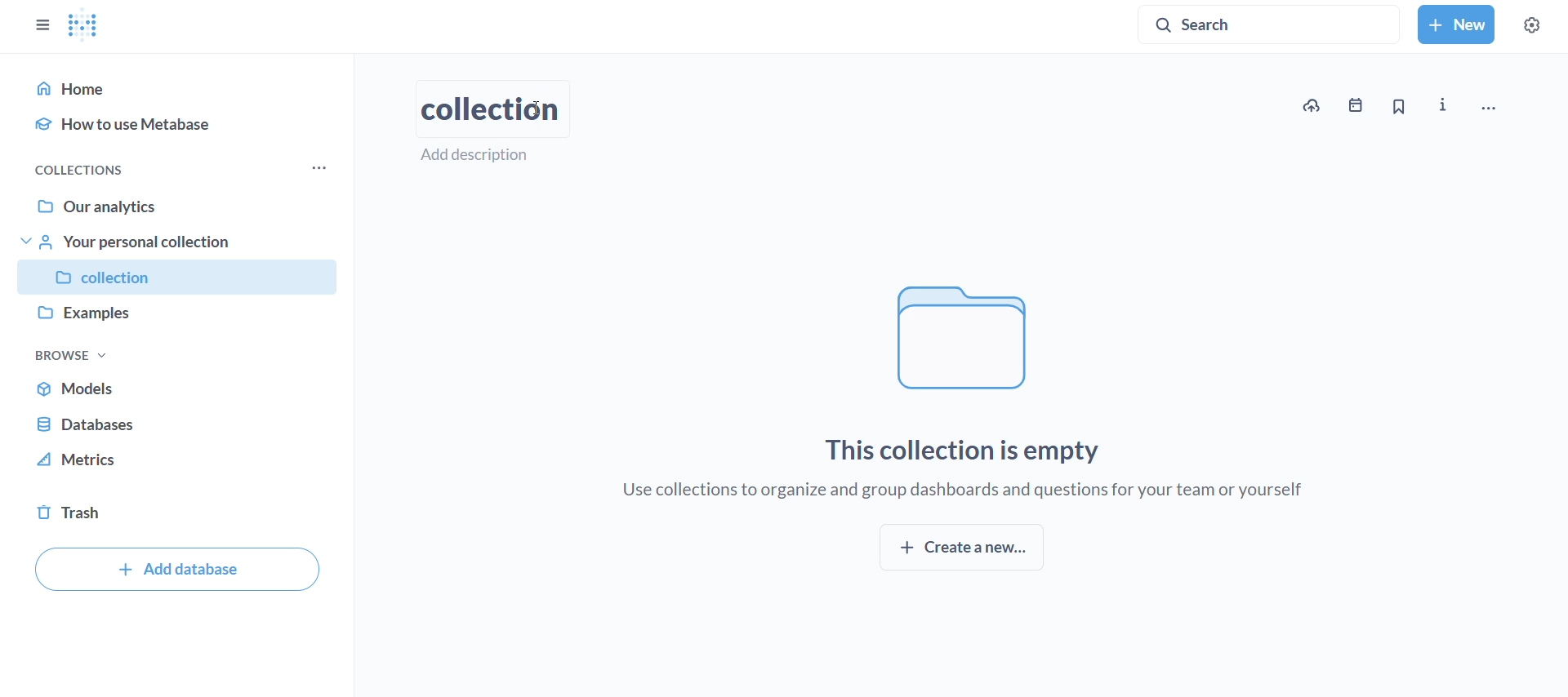 Image resolution: width=1568 pixels, height=697 pixels. What do you see at coordinates (485, 155) in the screenshot?
I see `add description` at bounding box center [485, 155].